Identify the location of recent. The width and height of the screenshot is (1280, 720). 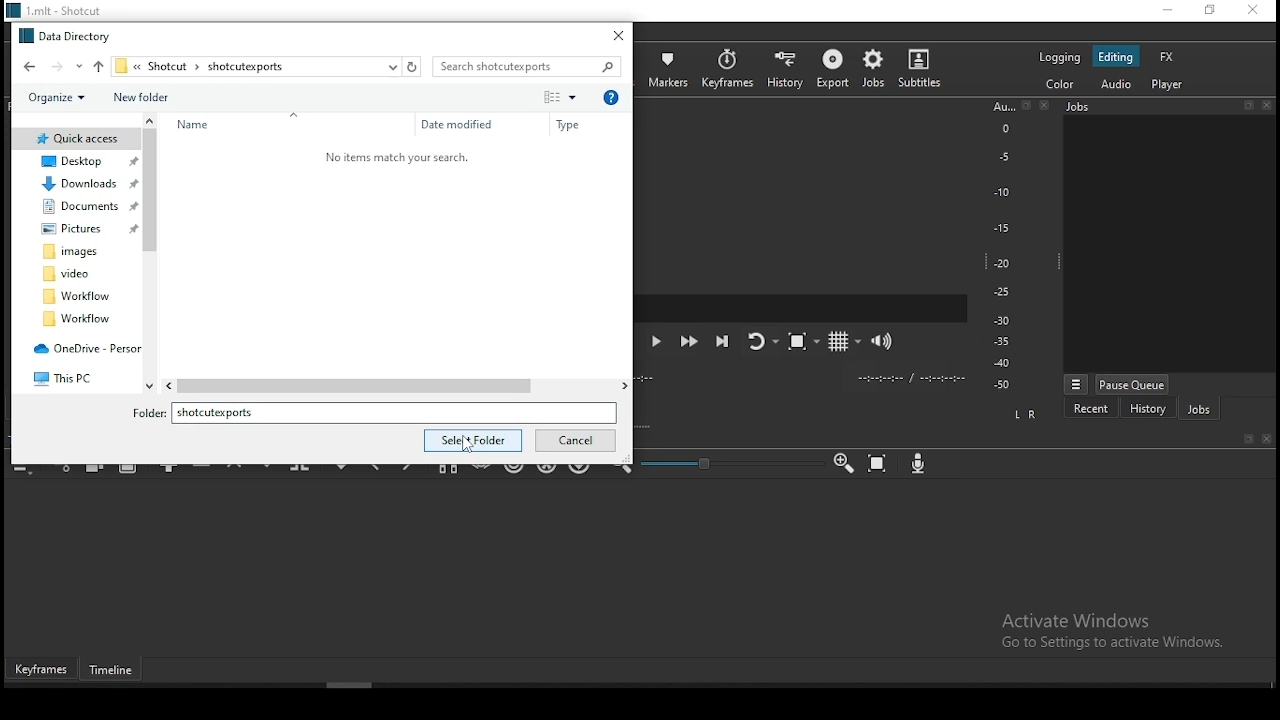
(1091, 408).